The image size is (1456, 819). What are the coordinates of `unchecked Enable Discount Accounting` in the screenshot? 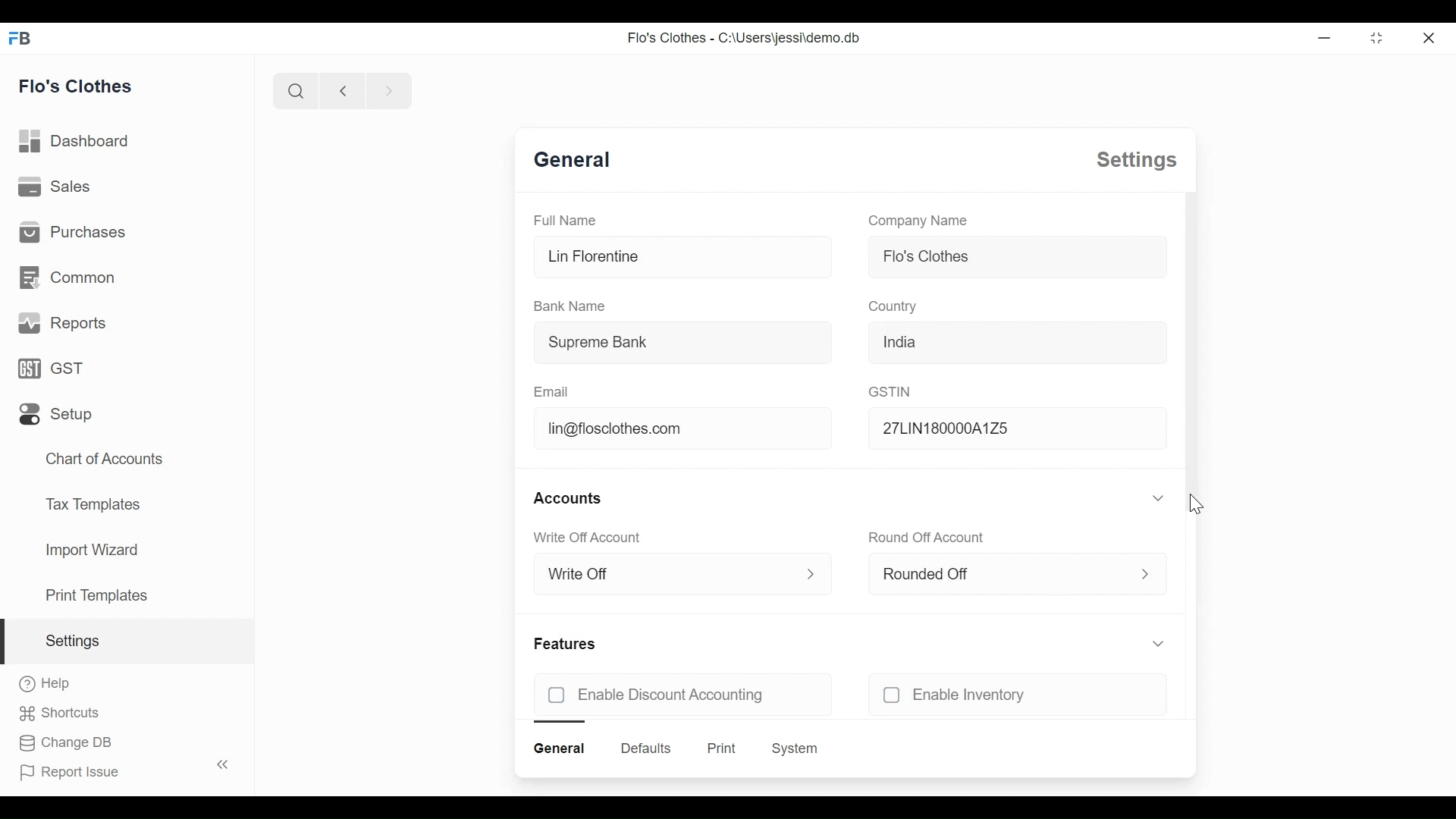 It's located at (654, 695).